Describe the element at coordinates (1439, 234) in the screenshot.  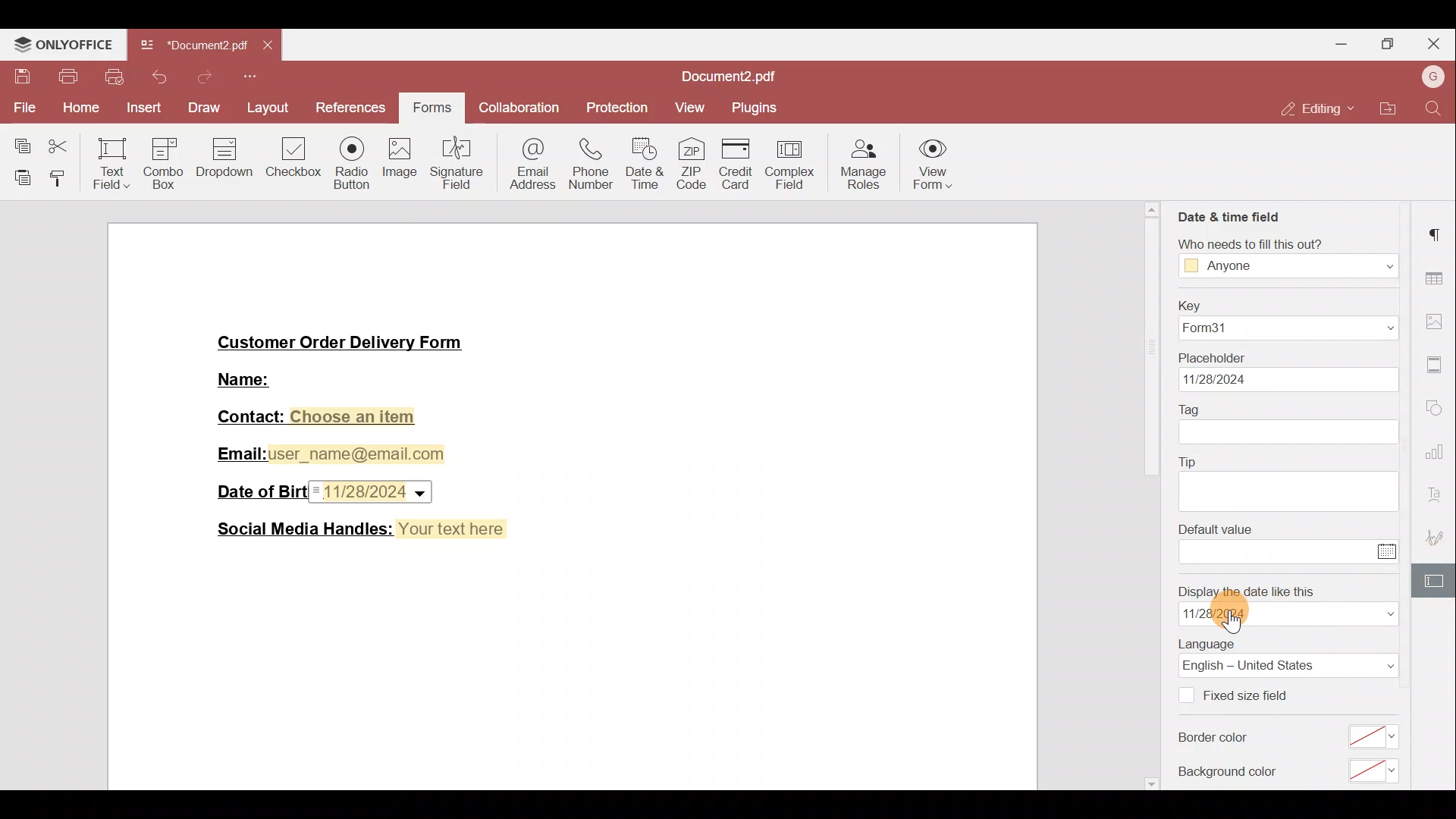
I see `Paragraph settings` at that location.